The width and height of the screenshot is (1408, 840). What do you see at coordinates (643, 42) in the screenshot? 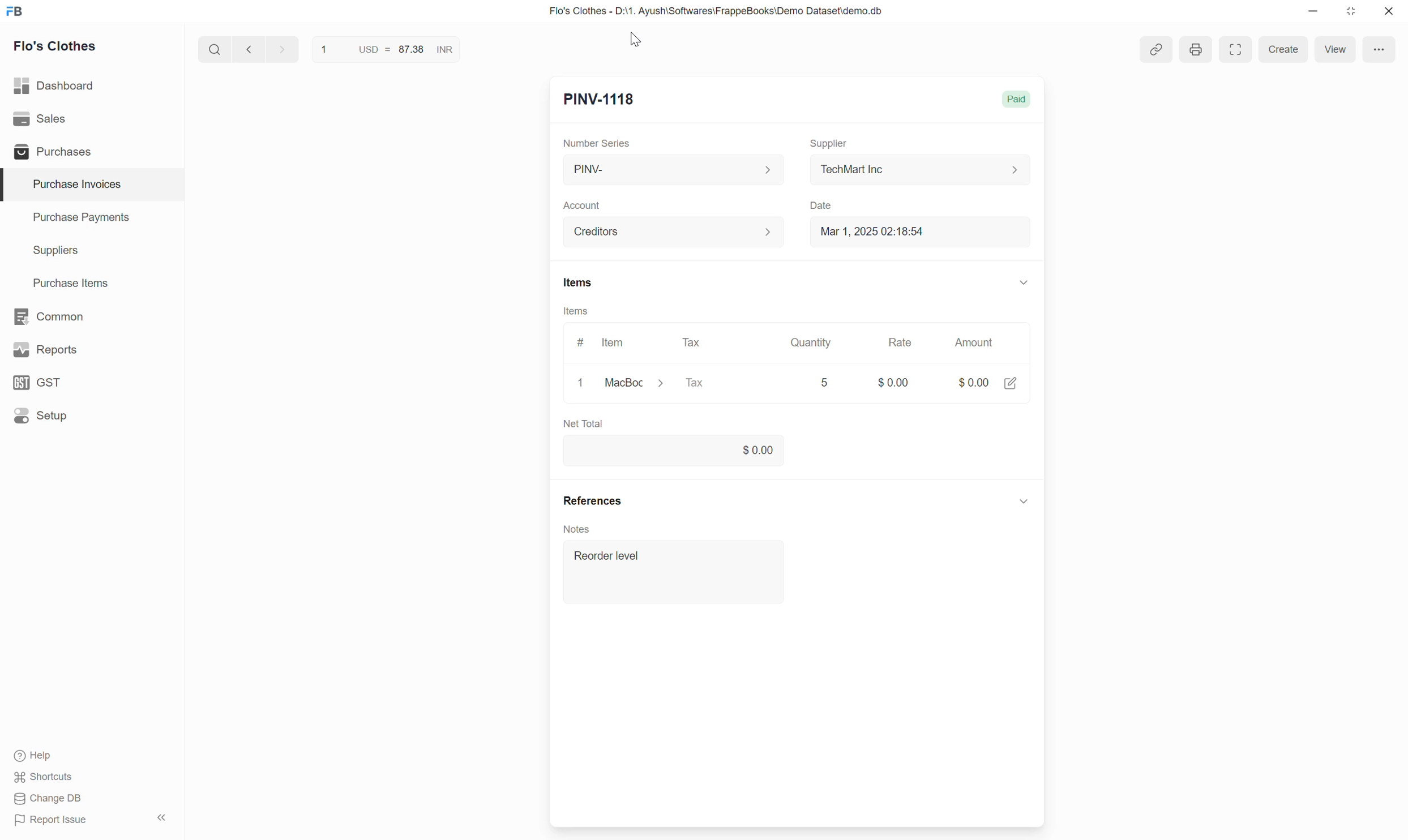
I see `cursor` at bounding box center [643, 42].